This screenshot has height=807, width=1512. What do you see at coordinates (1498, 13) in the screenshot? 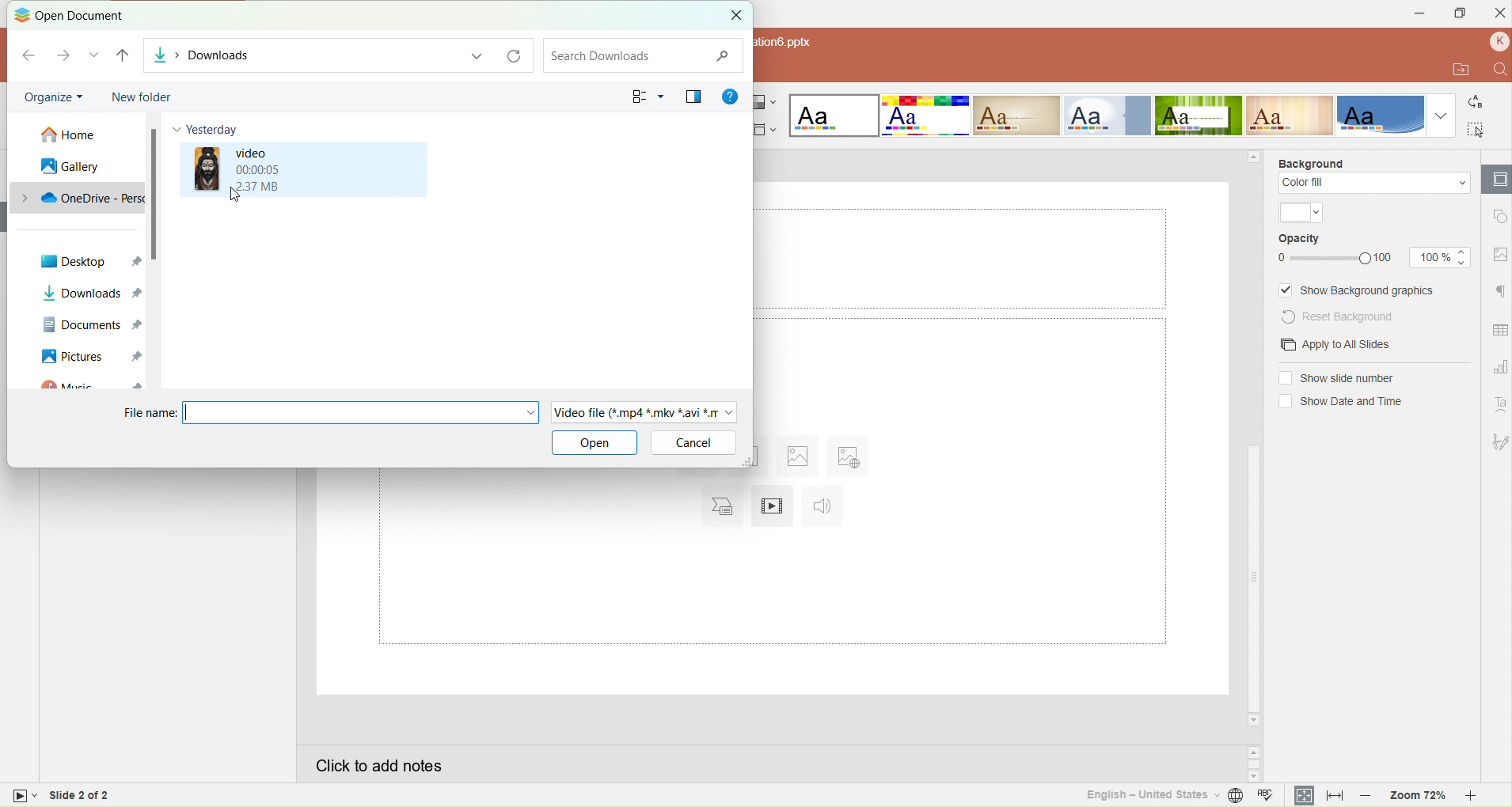
I see `Close` at bounding box center [1498, 13].